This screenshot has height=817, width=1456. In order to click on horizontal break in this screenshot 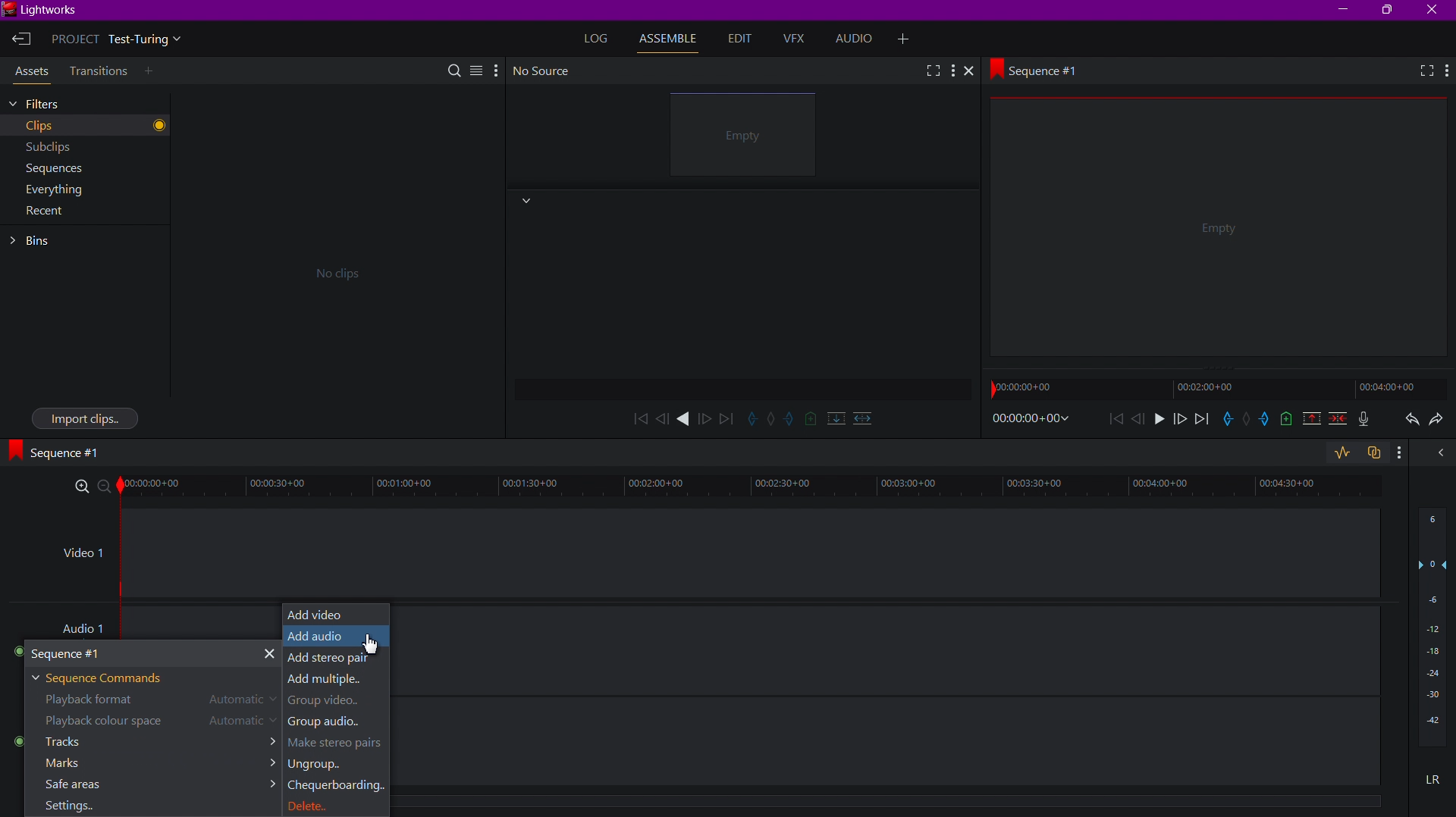, I will do `click(859, 417)`.